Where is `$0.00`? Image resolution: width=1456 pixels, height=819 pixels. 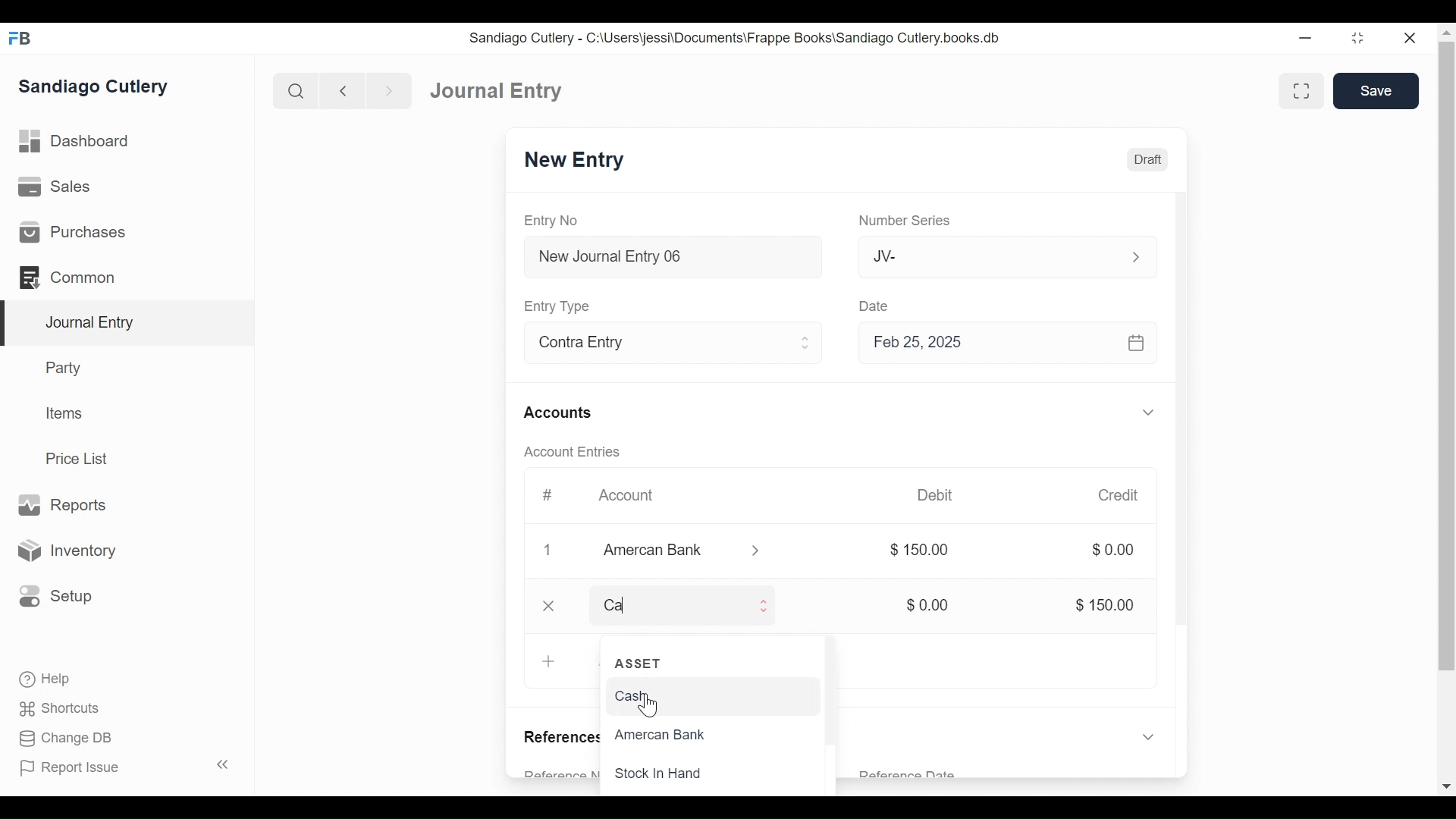
$0.00 is located at coordinates (928, 605).